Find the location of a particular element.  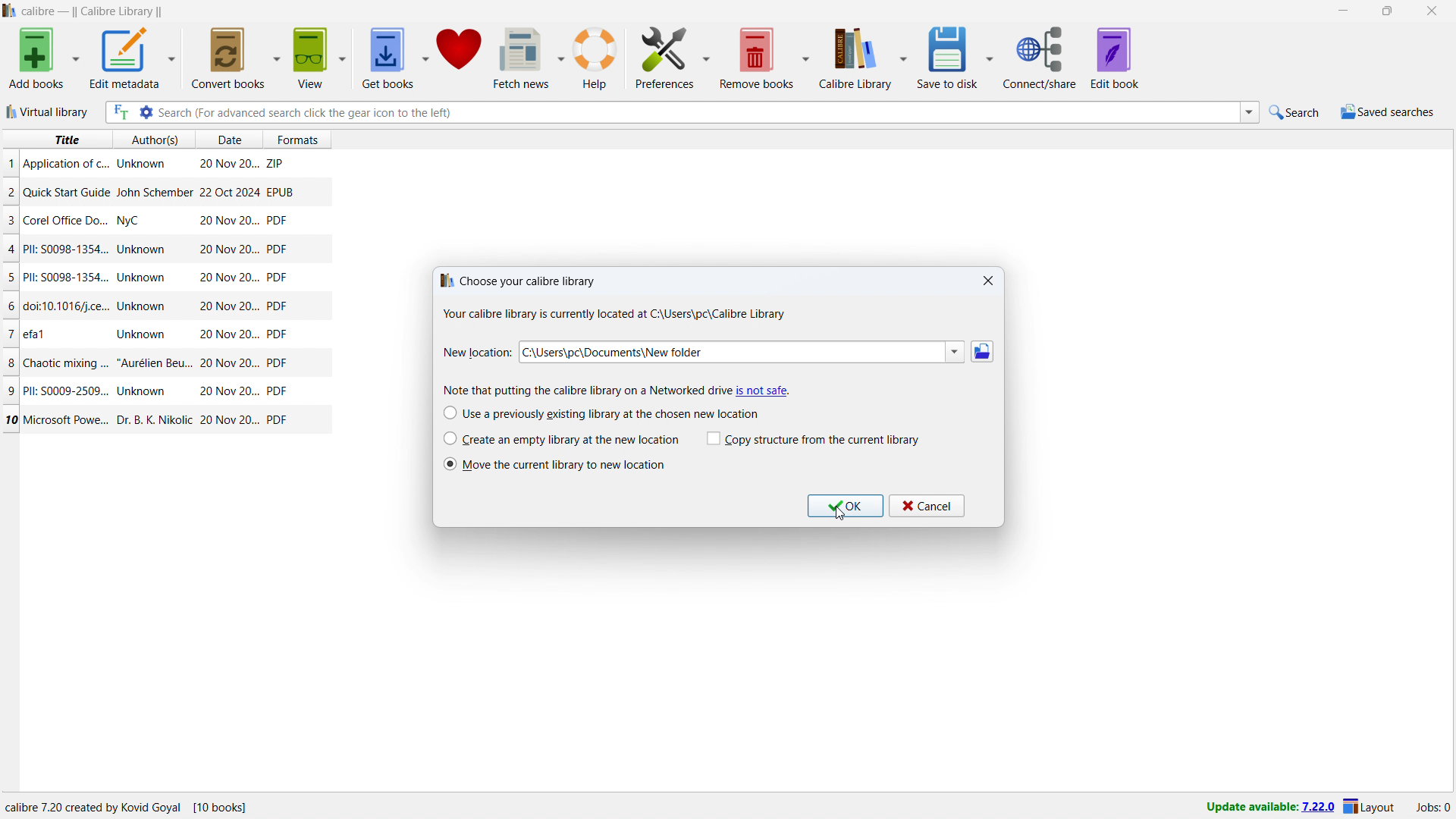

title is located at coordinates (65, 140).